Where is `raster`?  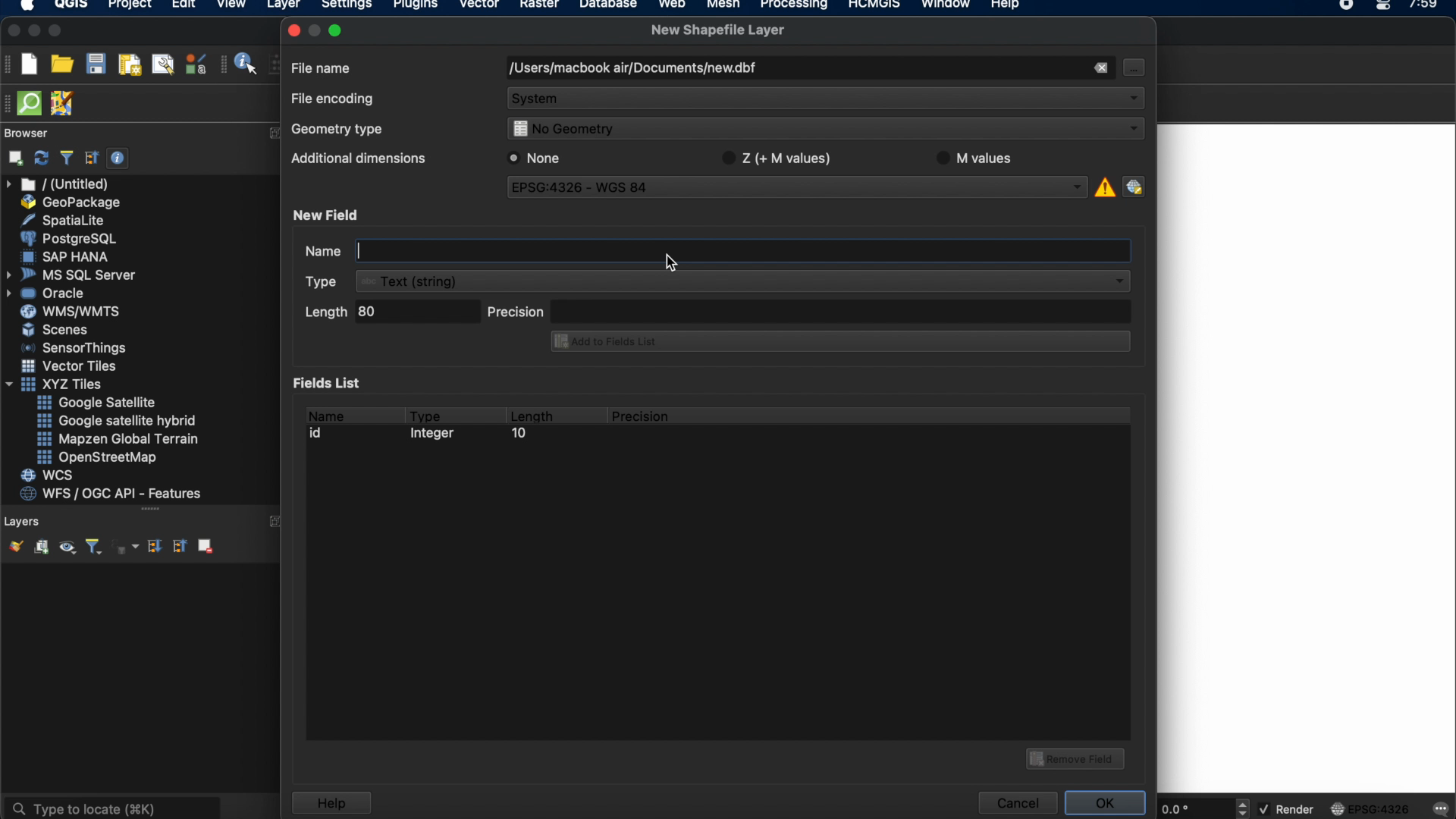 raster is located at coordinates (538, 6).